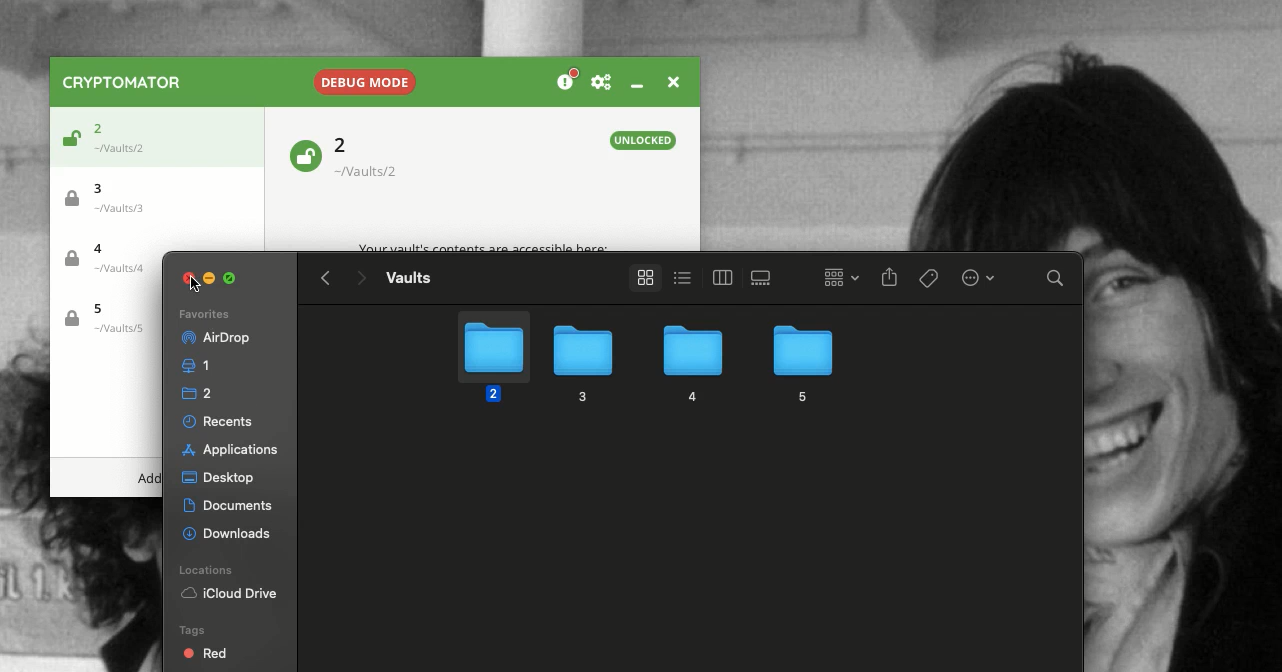  Describe the element at coordinates (232, 278) in the screenshot. I see `Maximize` at that location.